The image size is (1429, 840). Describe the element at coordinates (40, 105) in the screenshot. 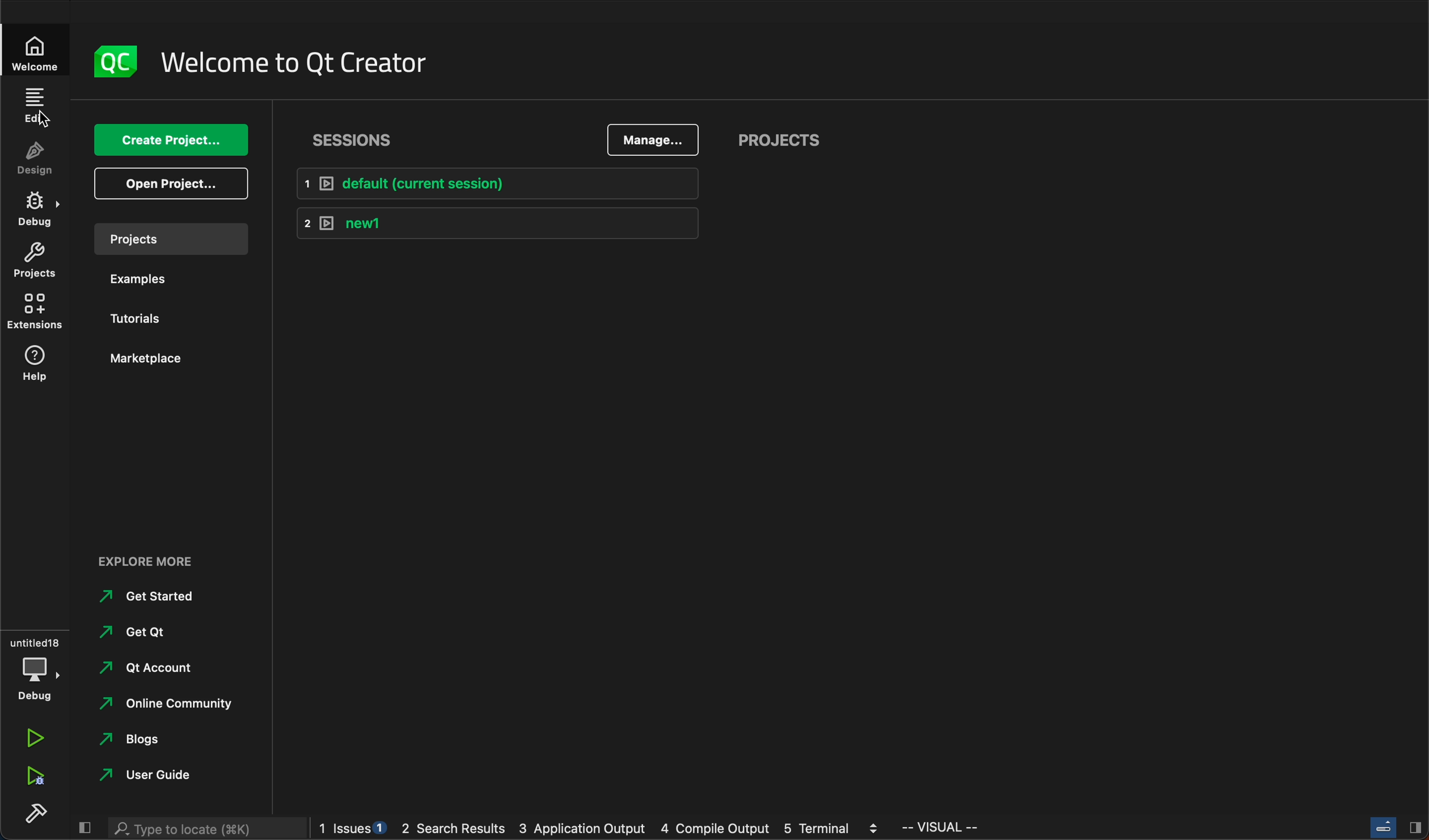

I see `edit` at that location.